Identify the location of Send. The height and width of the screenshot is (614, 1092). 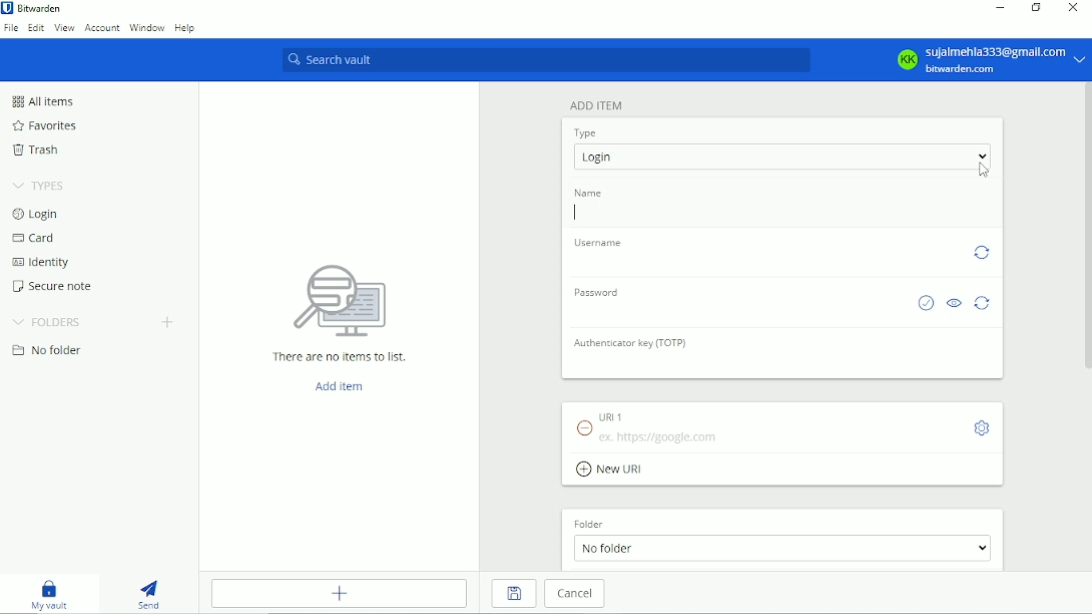
(150, 593).